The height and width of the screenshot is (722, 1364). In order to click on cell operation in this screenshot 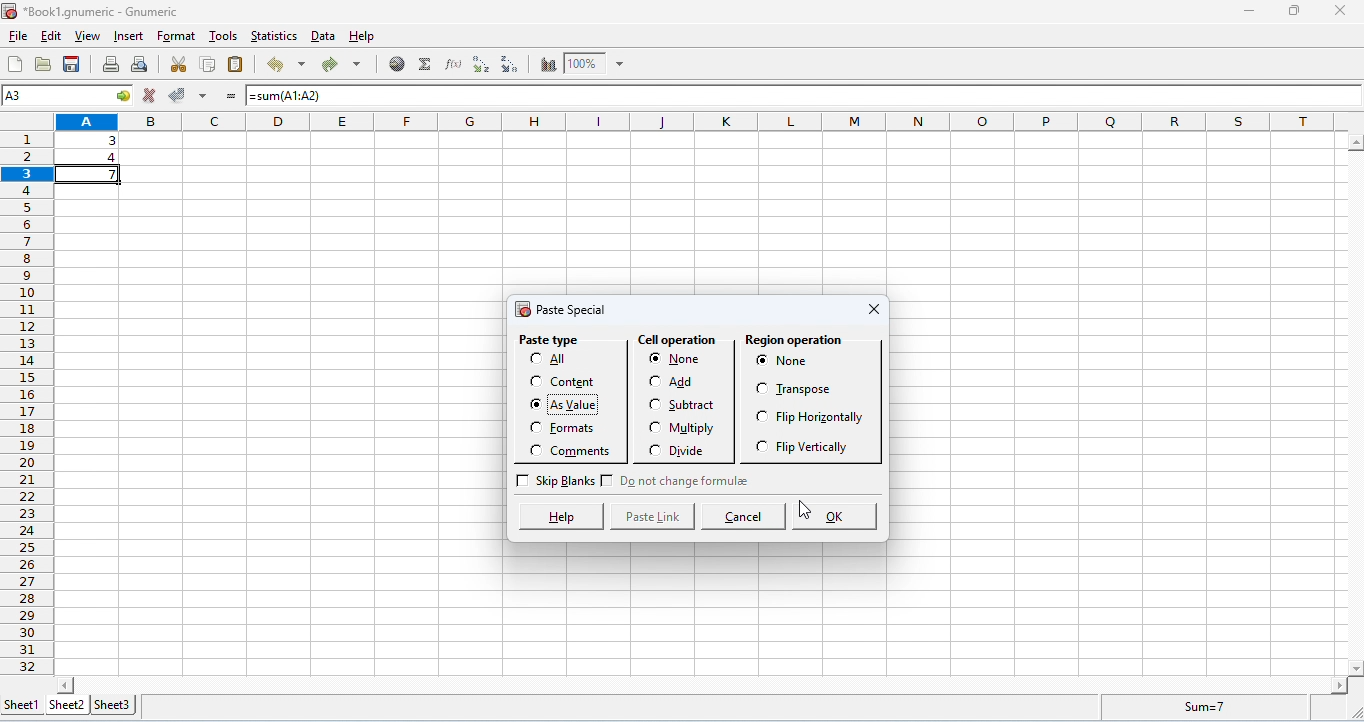, I will do `click(679, 341)`.